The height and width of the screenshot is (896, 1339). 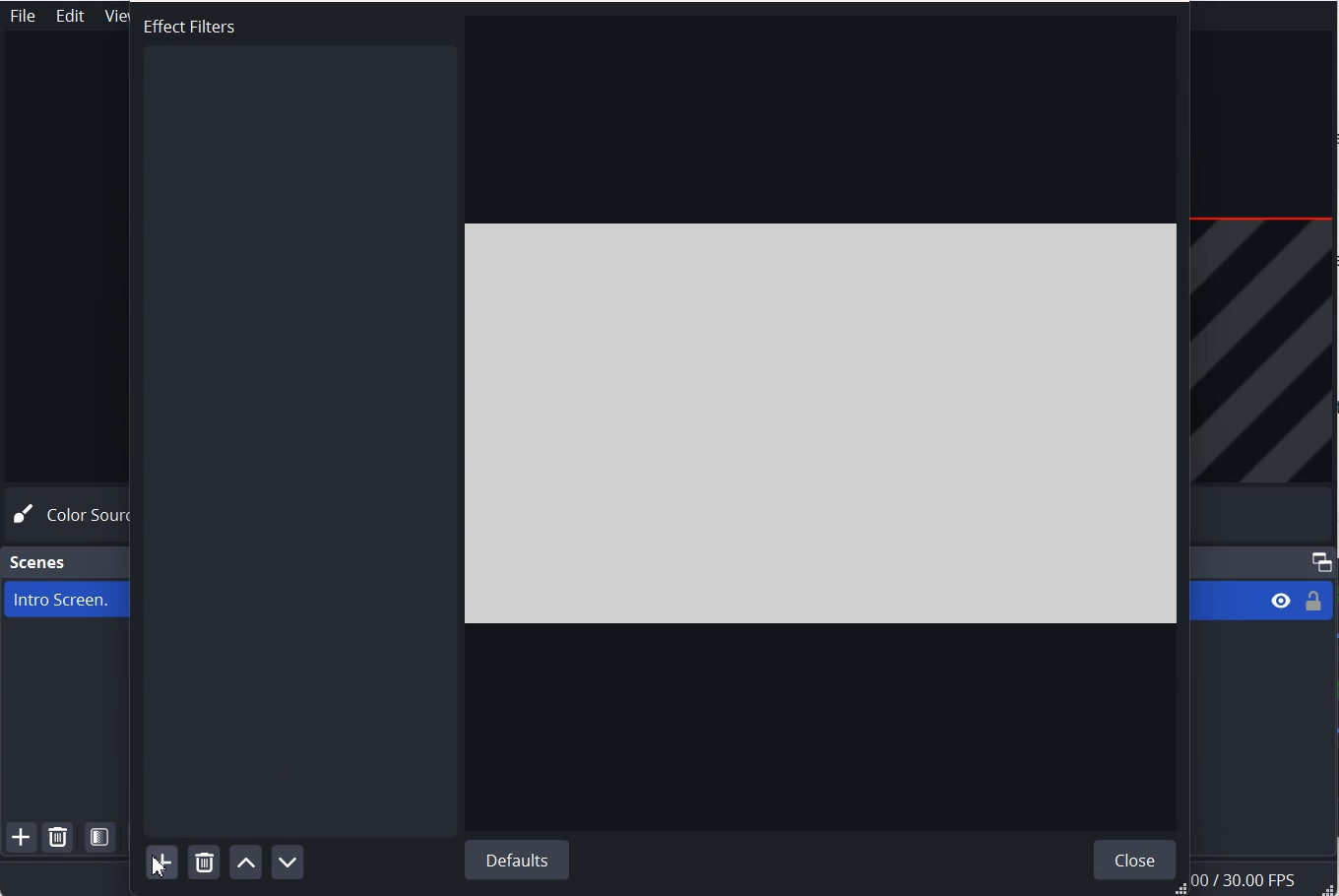 What do you see at coordinates (518, 860) in the screenshot?
I see `Default` at bounding box center [518, 860].